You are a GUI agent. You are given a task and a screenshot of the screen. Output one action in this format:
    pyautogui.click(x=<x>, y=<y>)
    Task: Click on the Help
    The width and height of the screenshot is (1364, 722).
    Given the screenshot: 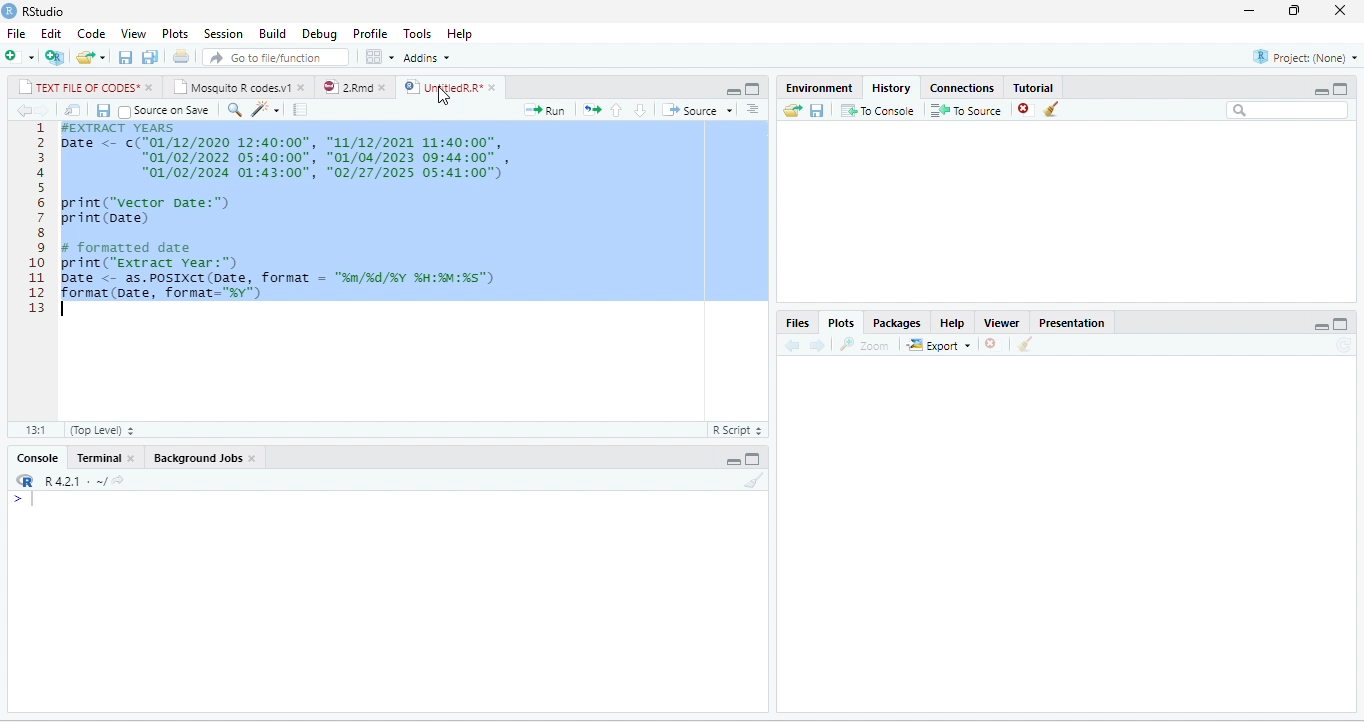 What is the action you would take?
    pyautogui.click(x=460, y=35)
    